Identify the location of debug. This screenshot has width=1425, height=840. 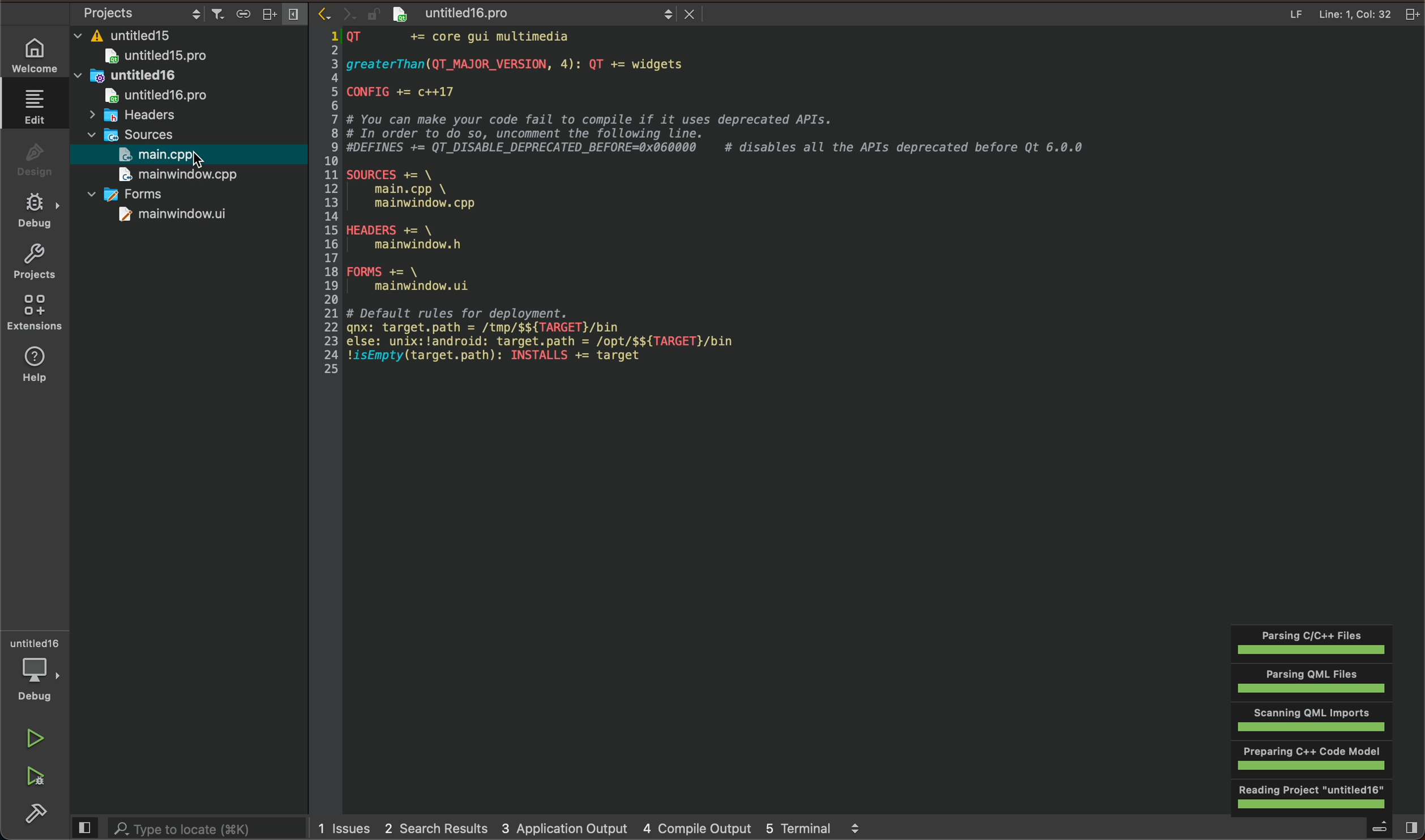
(40, 212).